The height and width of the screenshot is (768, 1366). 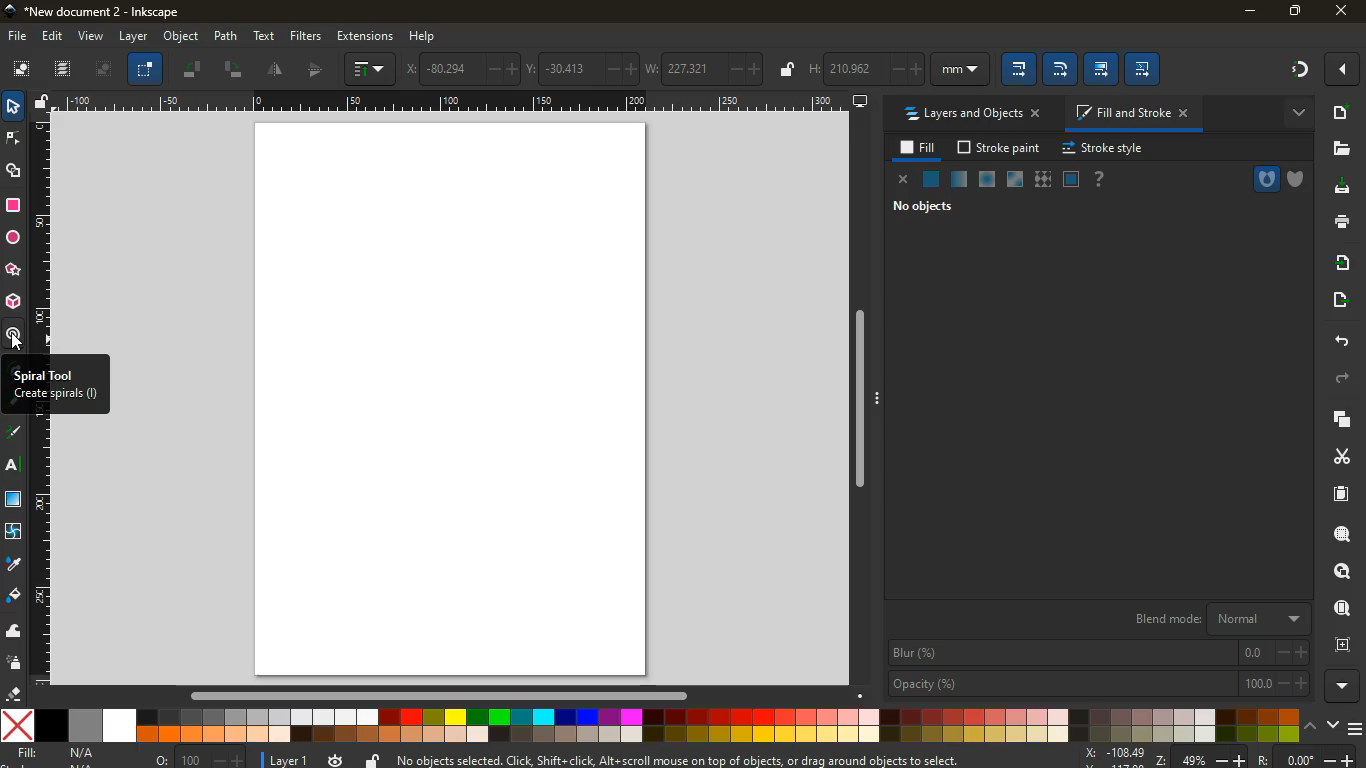 What do you see at coordinates (1333, 457) in the screenshot?
I see `cut` at bounding box center [1333, 457].